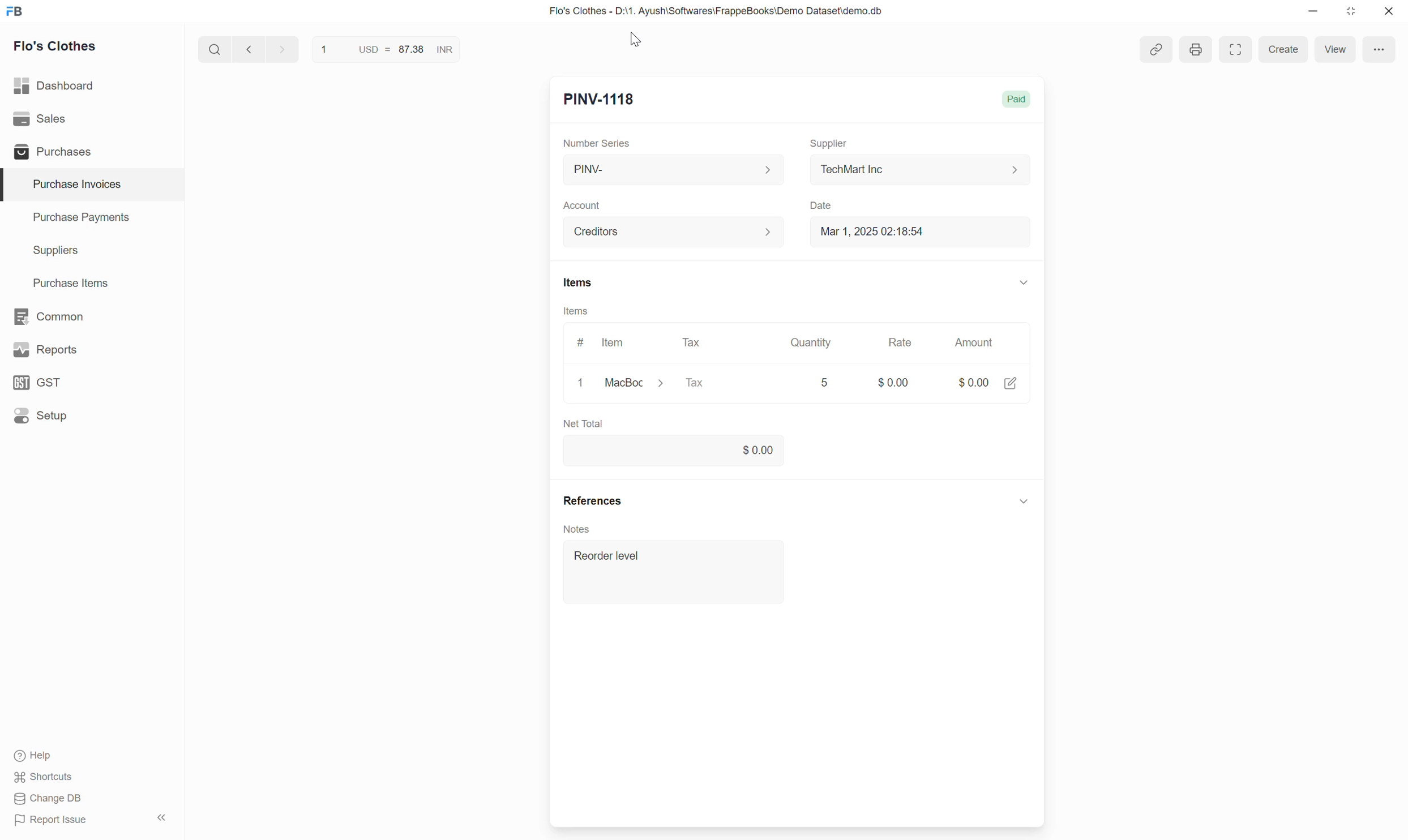  I want to click on Purchase Payments, so click(92, 218).